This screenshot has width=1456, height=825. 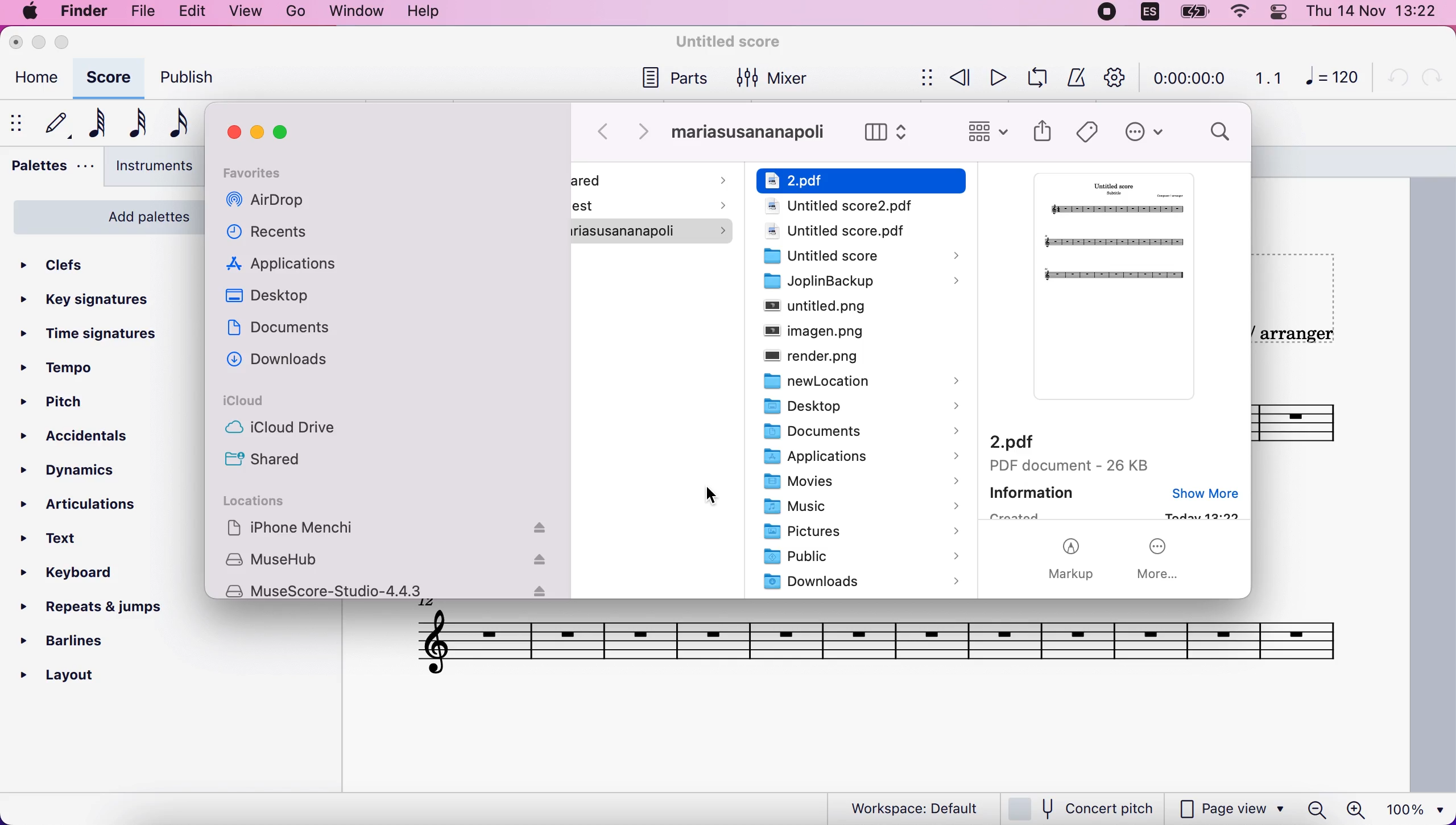 I want to click on 64th note, so click(x=94, y=125).